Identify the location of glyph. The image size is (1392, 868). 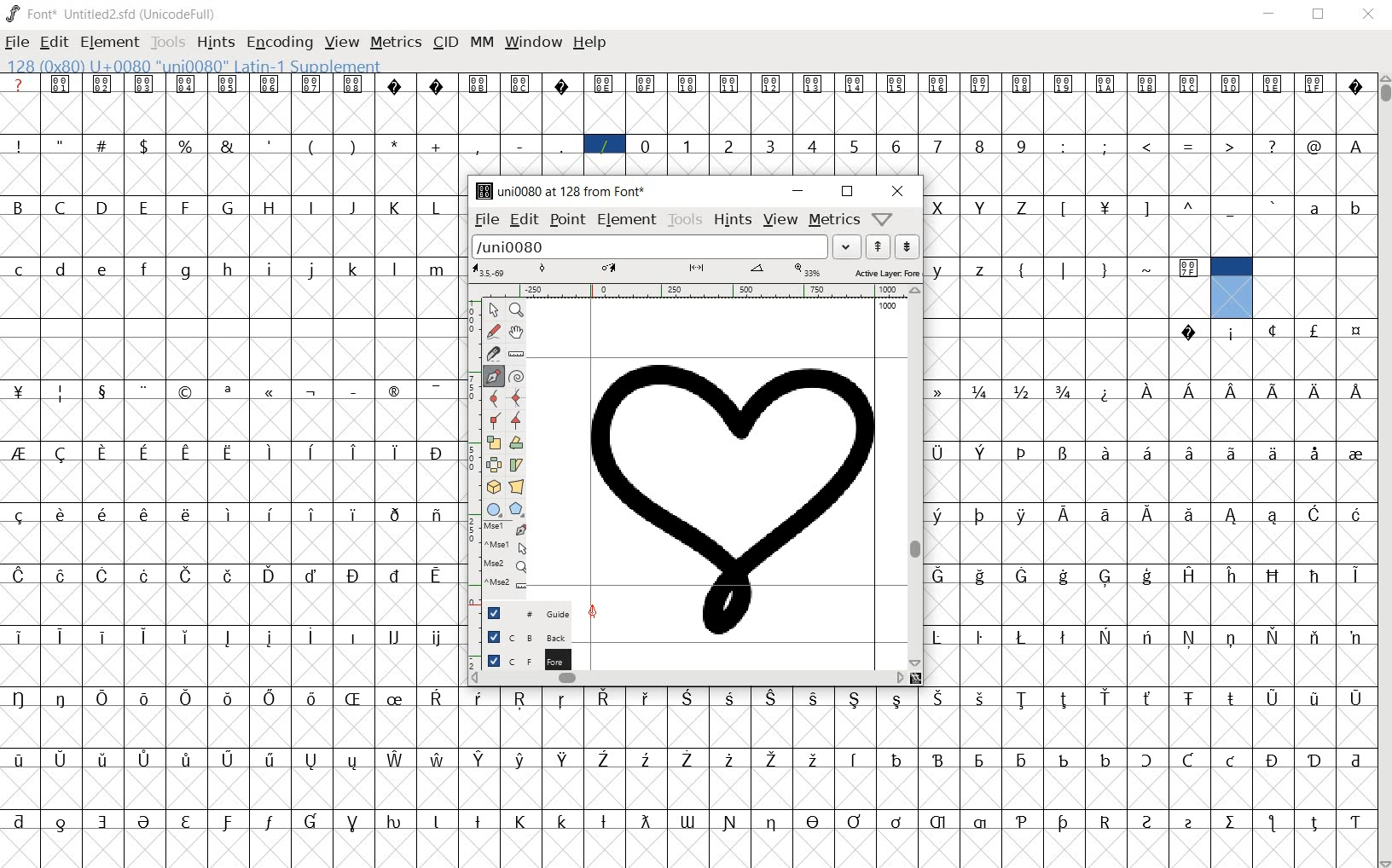
(1022, 700).